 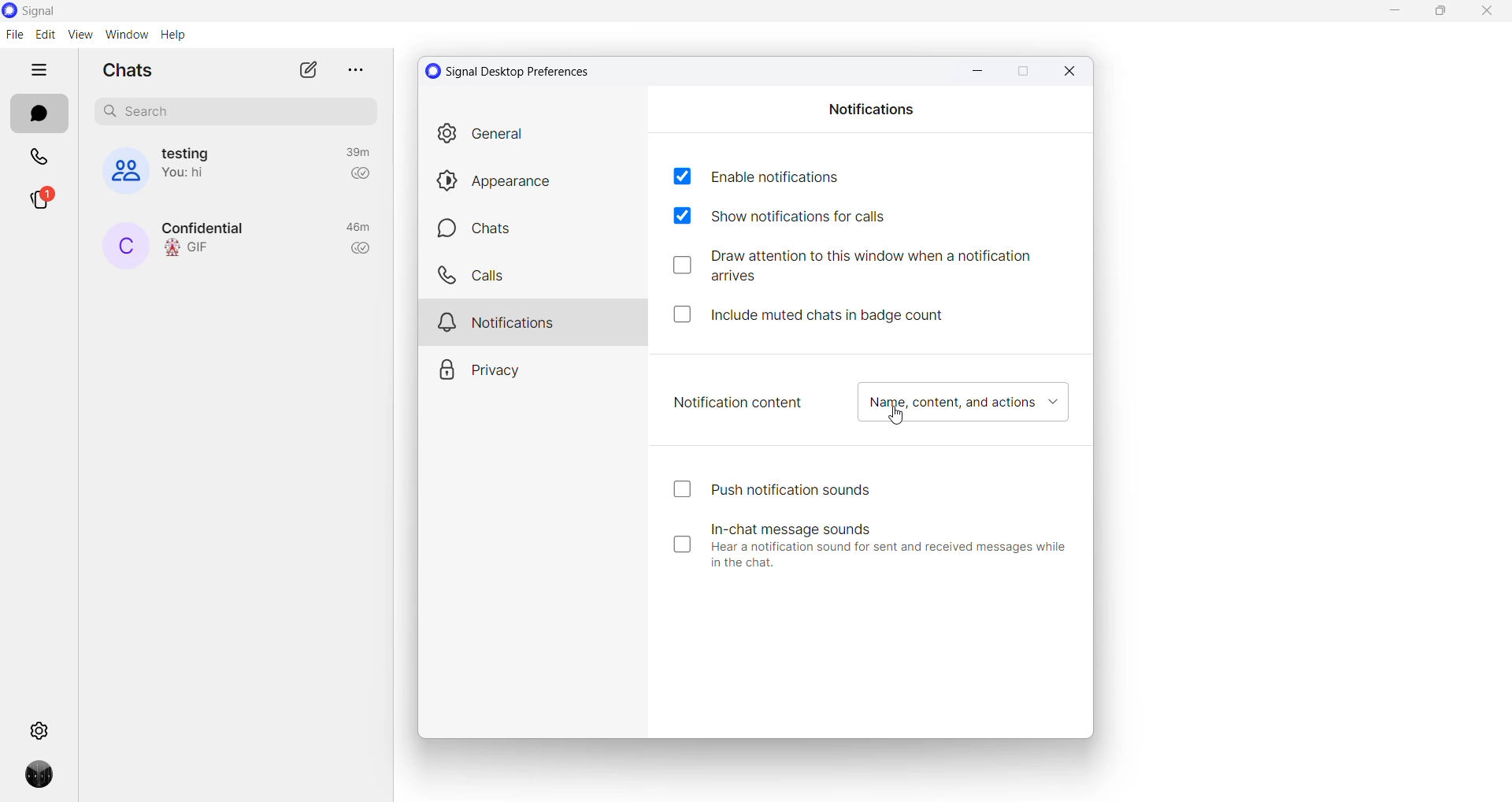 What do you see at coordinates (900, 421) in the screenshot?
I see `cursor` at bounding box center [900, 421].